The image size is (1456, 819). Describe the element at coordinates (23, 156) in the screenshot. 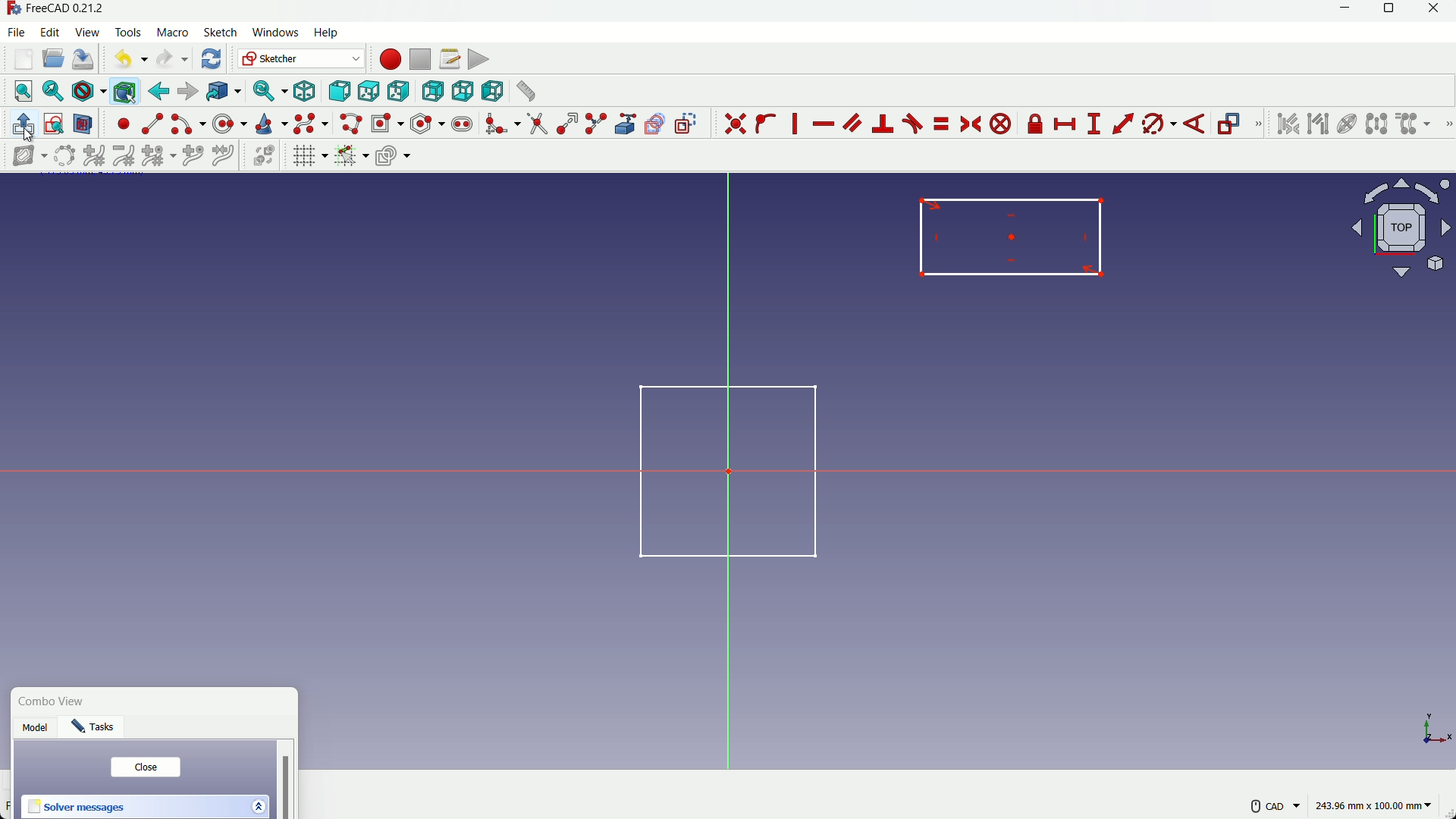

I see `show/hide b spiline layer information` at that location.